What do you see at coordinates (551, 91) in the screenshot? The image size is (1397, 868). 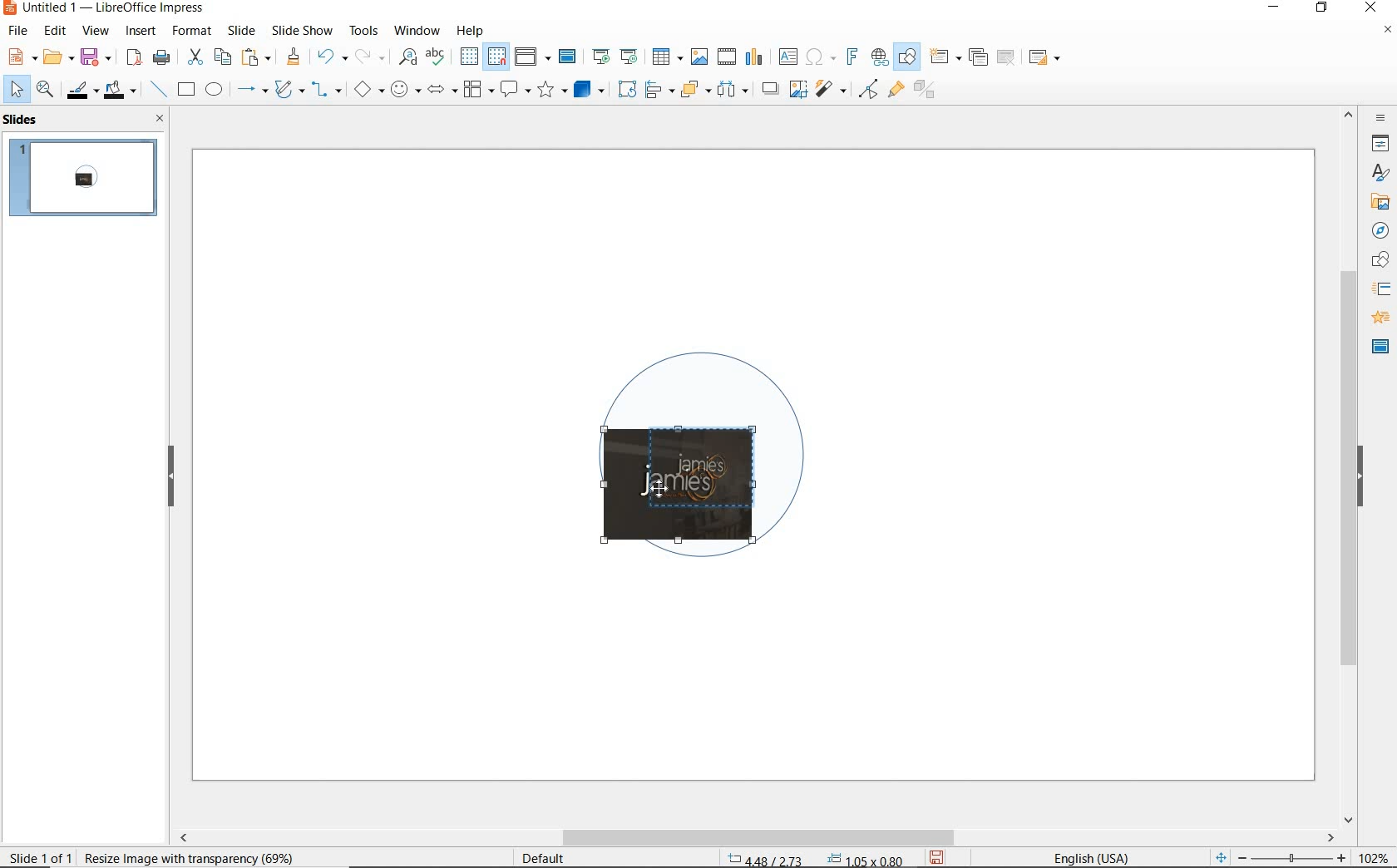 I see `stars and banners` at bounding box center [551, 91].